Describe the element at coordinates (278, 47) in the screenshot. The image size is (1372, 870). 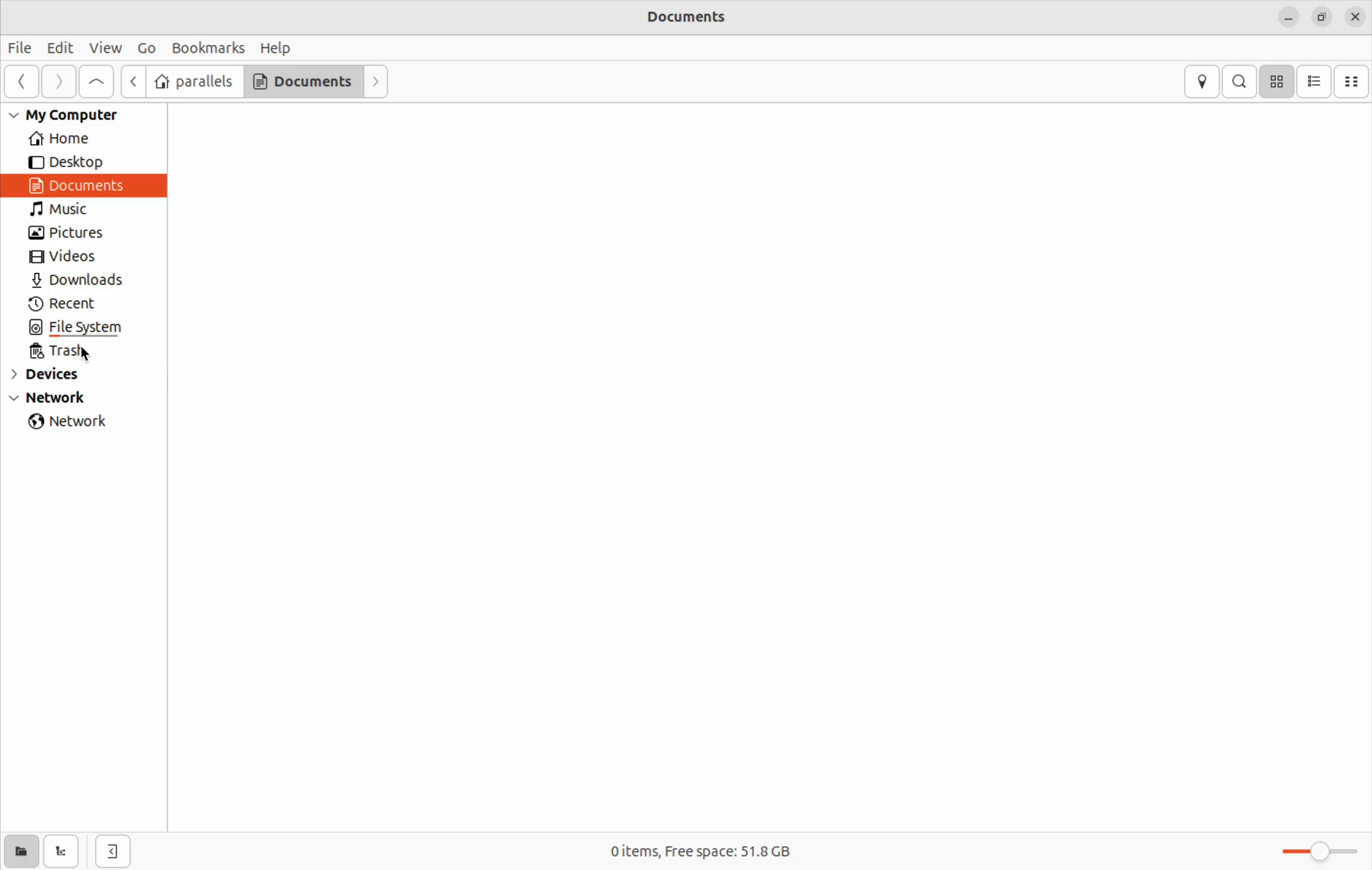
I see `Help` at that location.